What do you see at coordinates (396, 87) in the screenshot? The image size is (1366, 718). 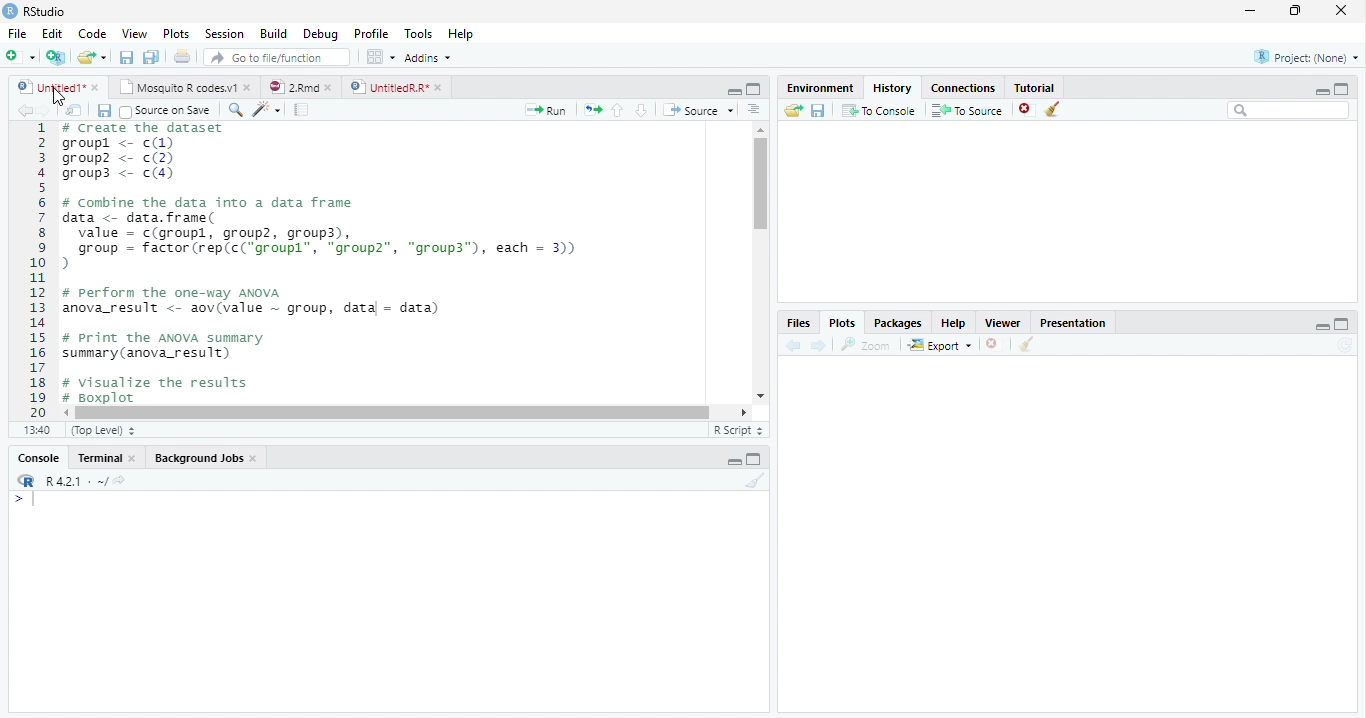 I see `Untitled R*` at bounding box center [396, 87].